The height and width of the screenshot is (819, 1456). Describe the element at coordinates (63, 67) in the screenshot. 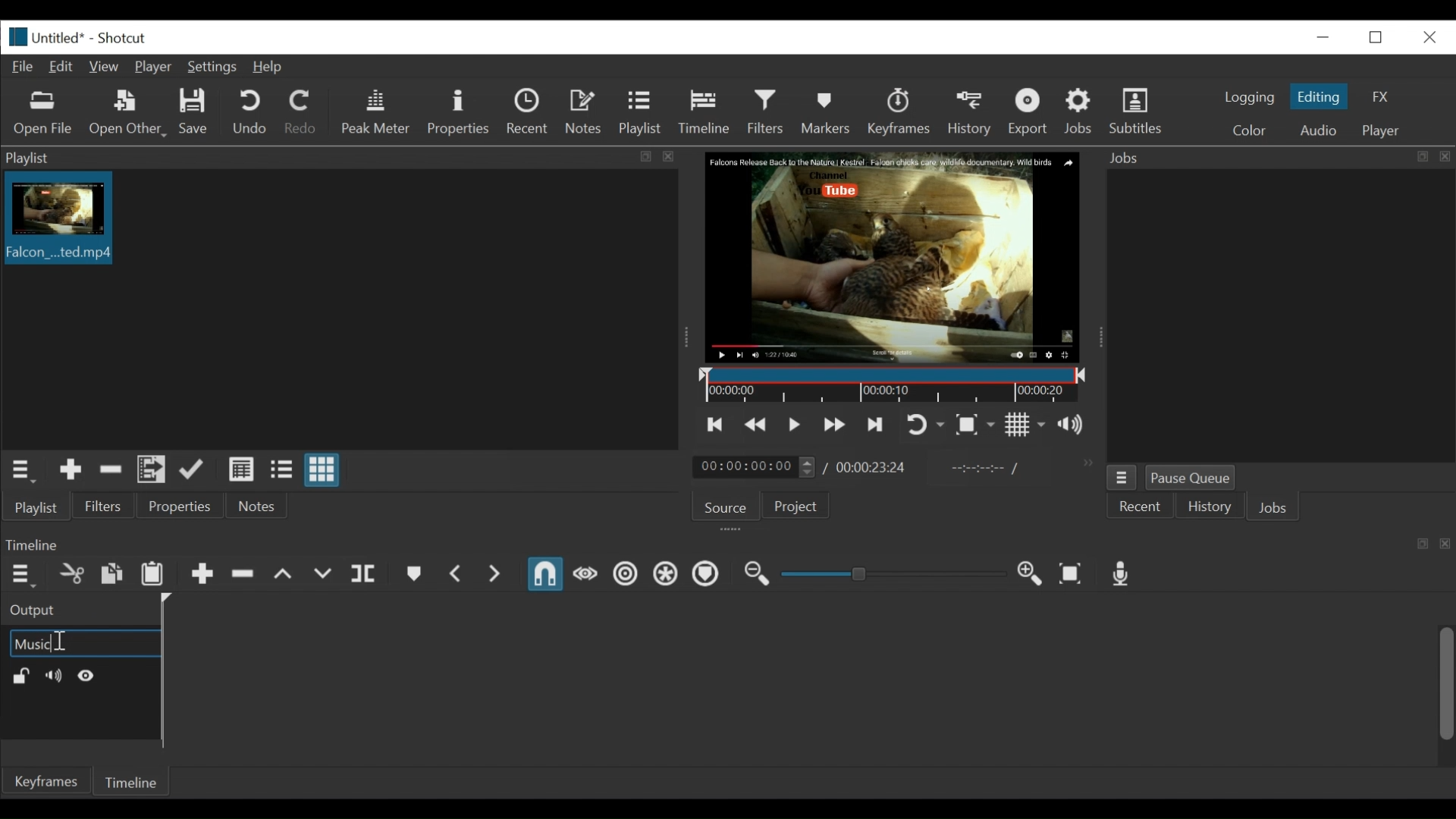

I see `Edit` at that location.